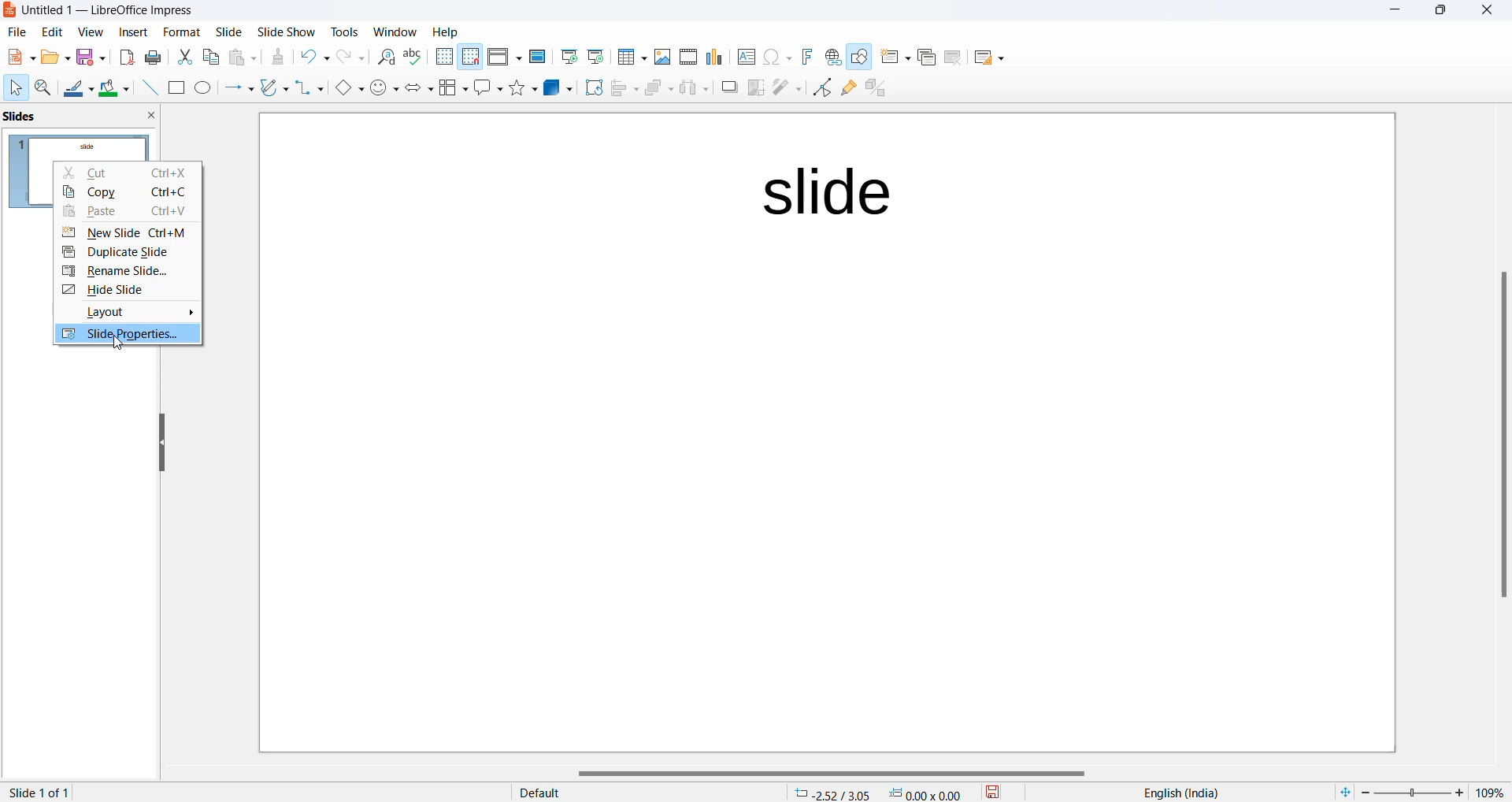 The image size is (1512, 802). What do you see at coordinates (119, 344) in the screenshot?
I see `cursor` at bounding box center [119, 344].